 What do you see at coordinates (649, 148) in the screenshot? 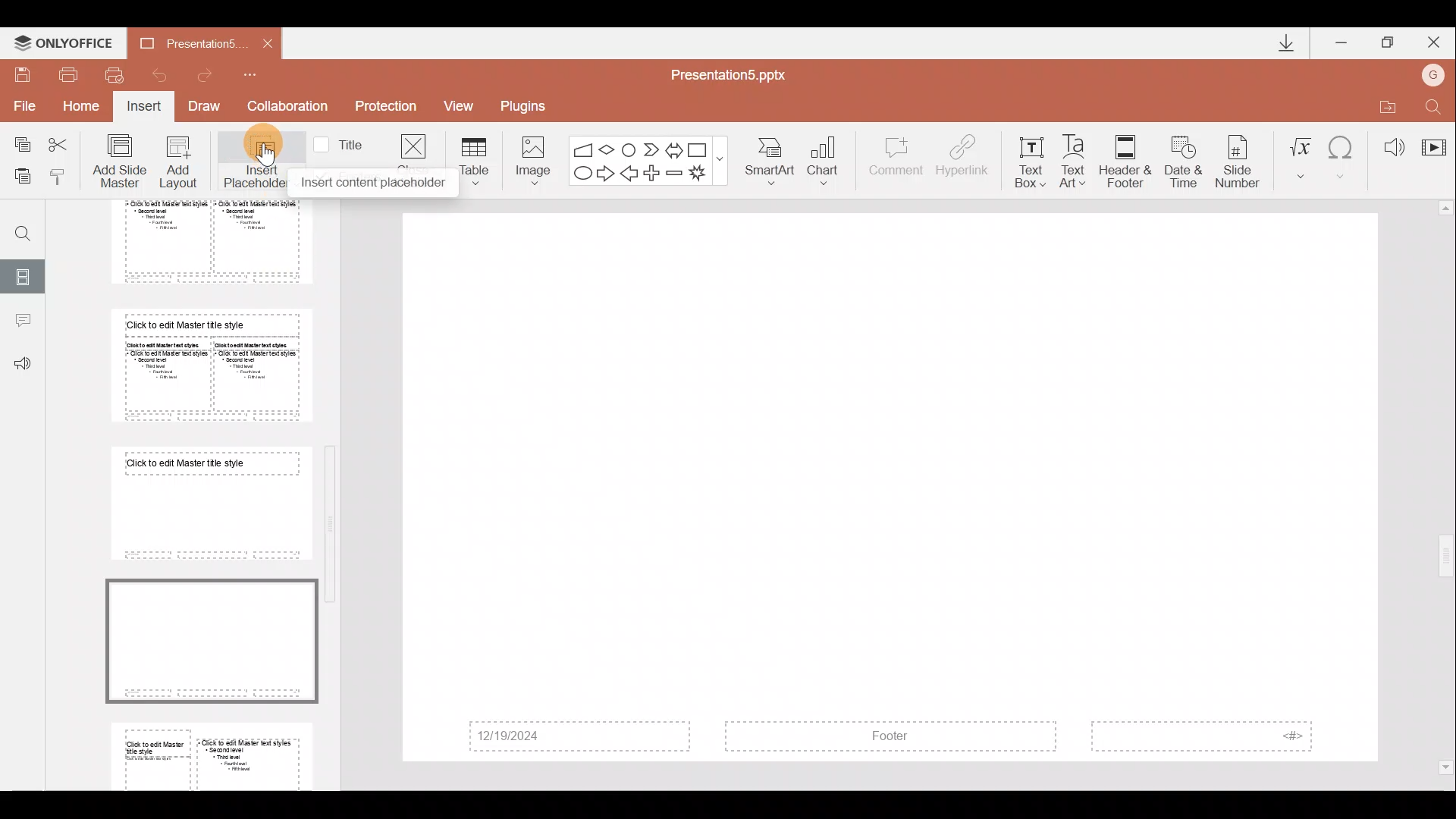
I see `Chevron` at bounding box center [649, 148].